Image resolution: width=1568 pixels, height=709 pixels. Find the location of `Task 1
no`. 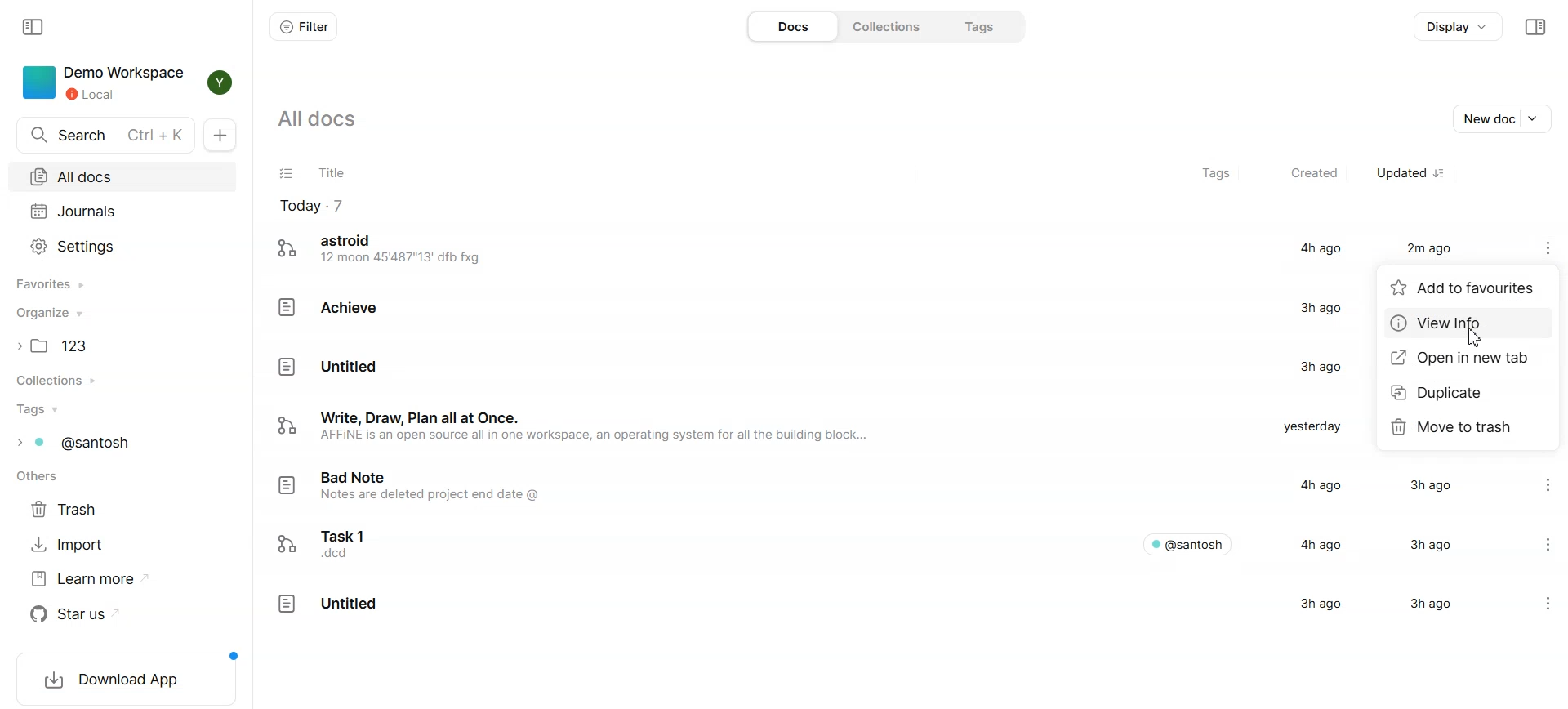

Task 1
no is located at coordinates (336, 544).